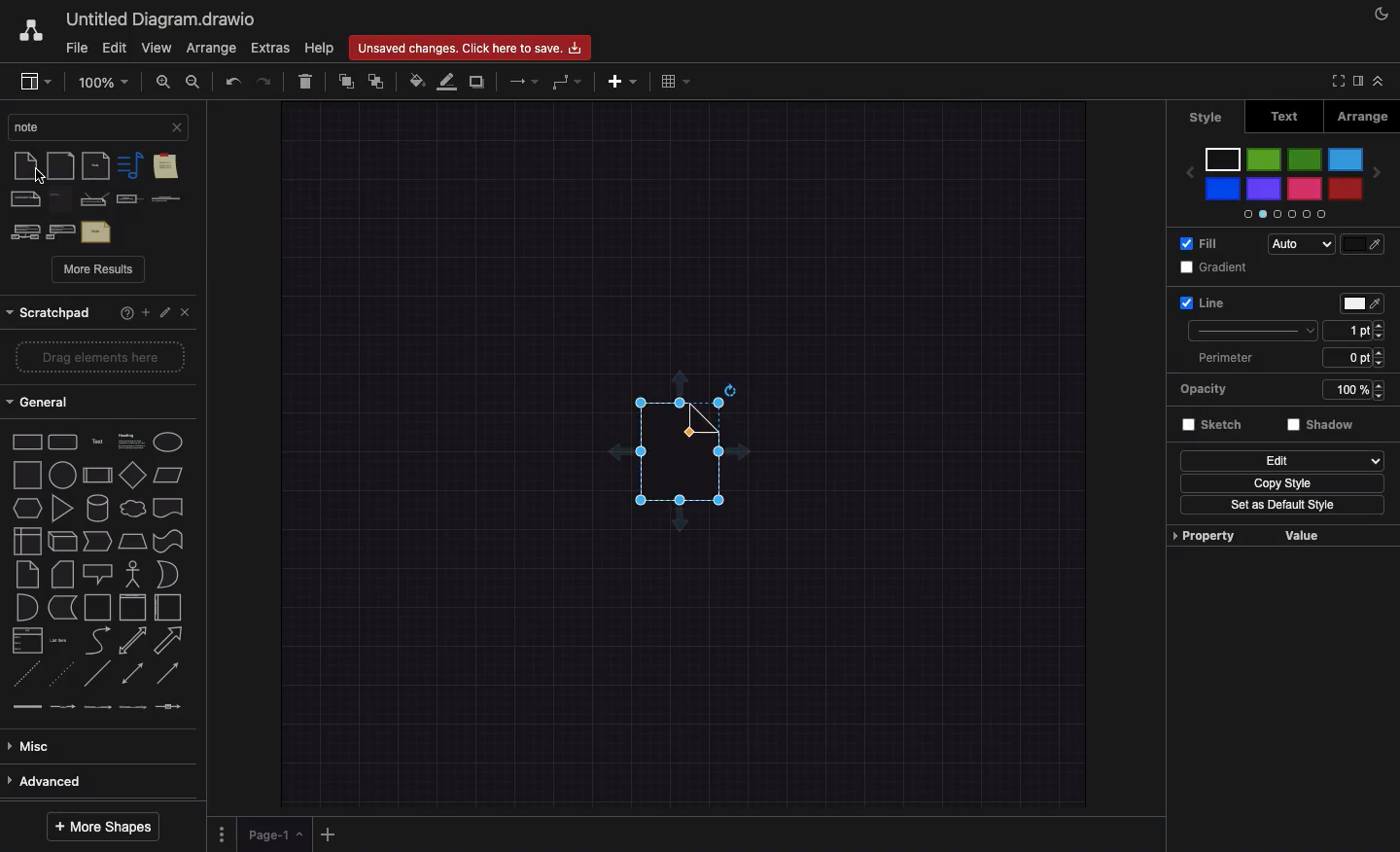  Describe the element at coordinates (133, 474) in the screenshot. I see `parallelogram` at that location.